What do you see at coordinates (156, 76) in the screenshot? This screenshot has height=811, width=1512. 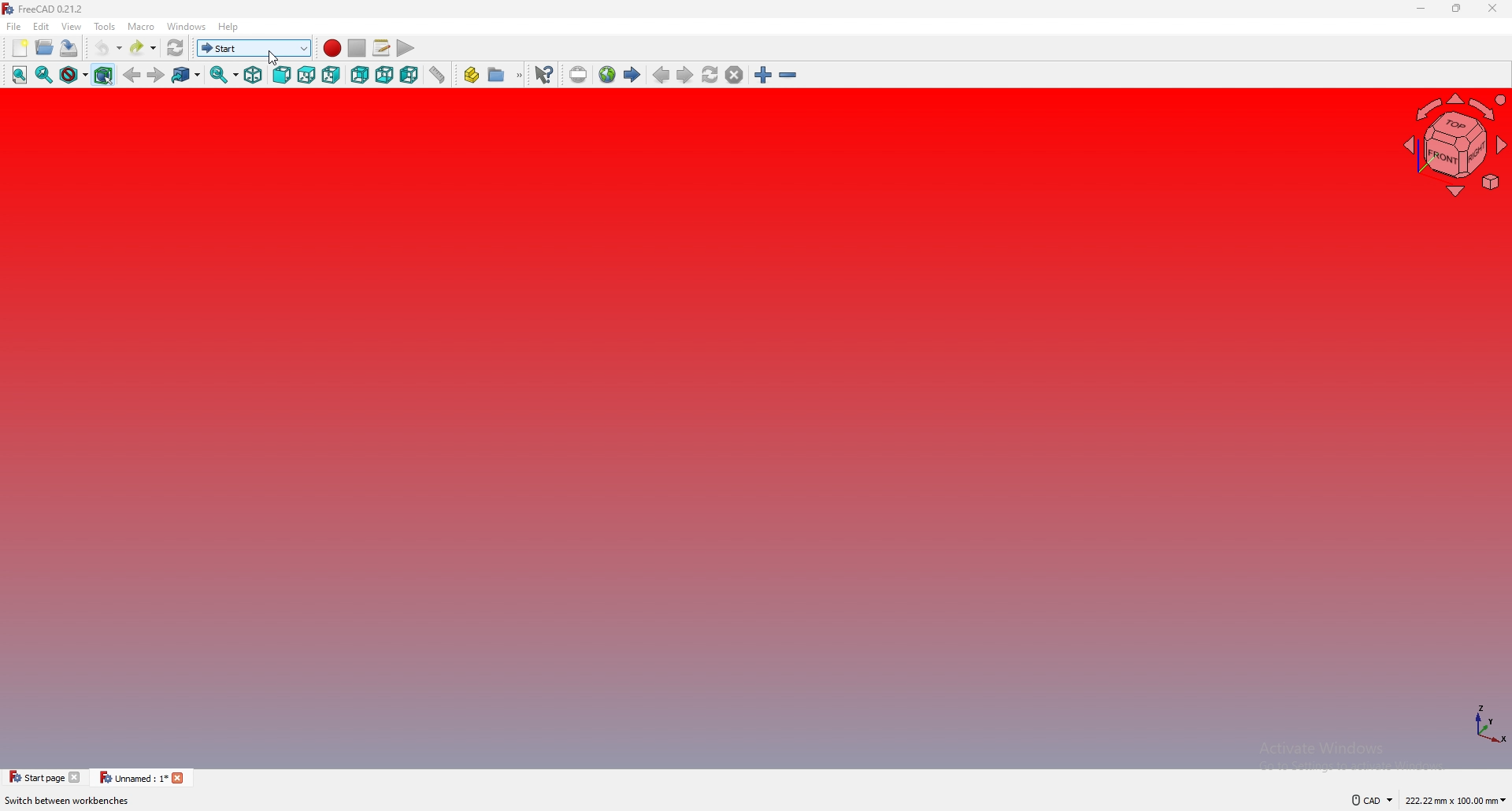 I see `forward` at bounding box center [156, 76].